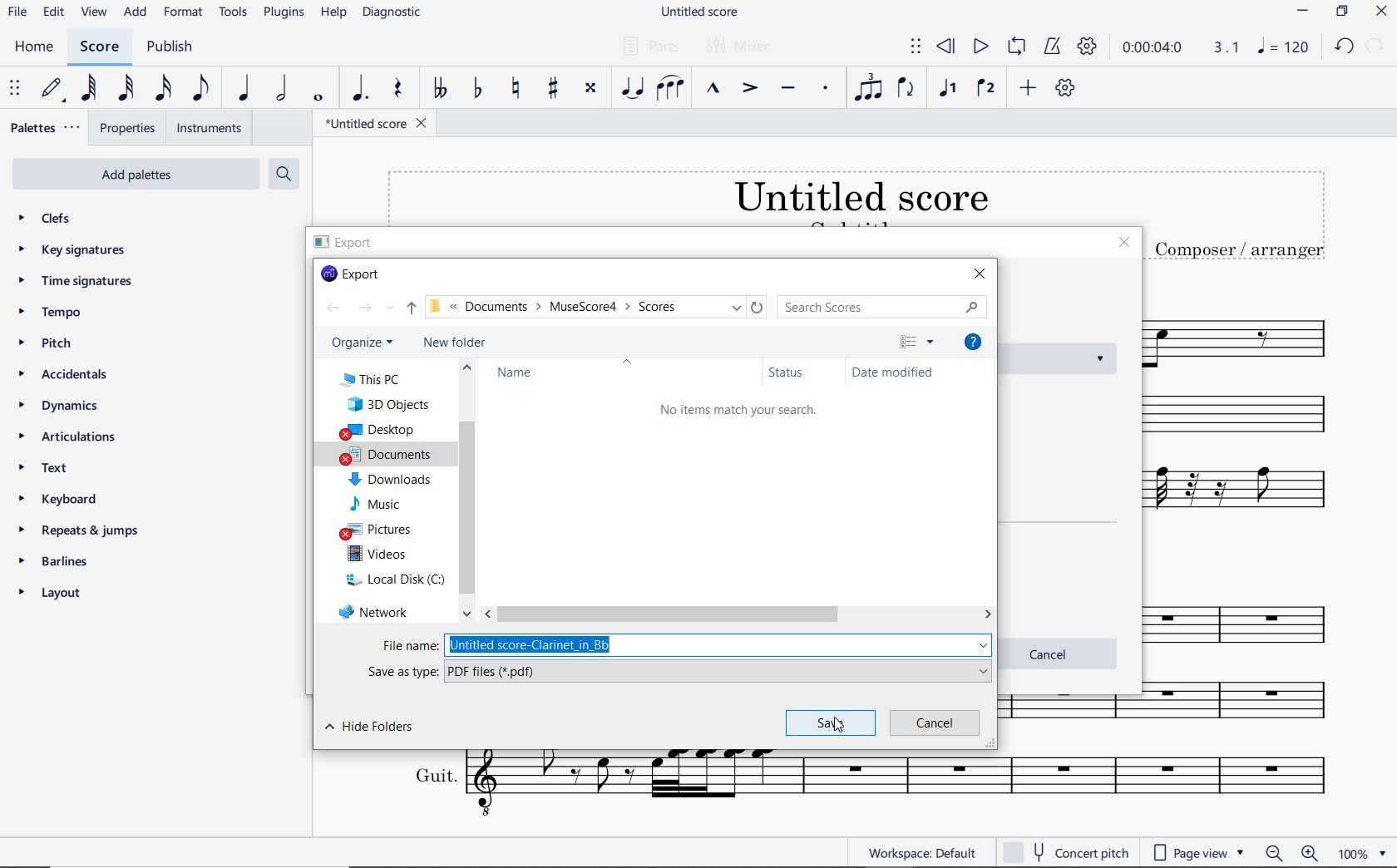 This screenshot has width=1397, height=868. Describe the element at coordinates (335, 308) in the screenshot. I see `BACK` at that location.